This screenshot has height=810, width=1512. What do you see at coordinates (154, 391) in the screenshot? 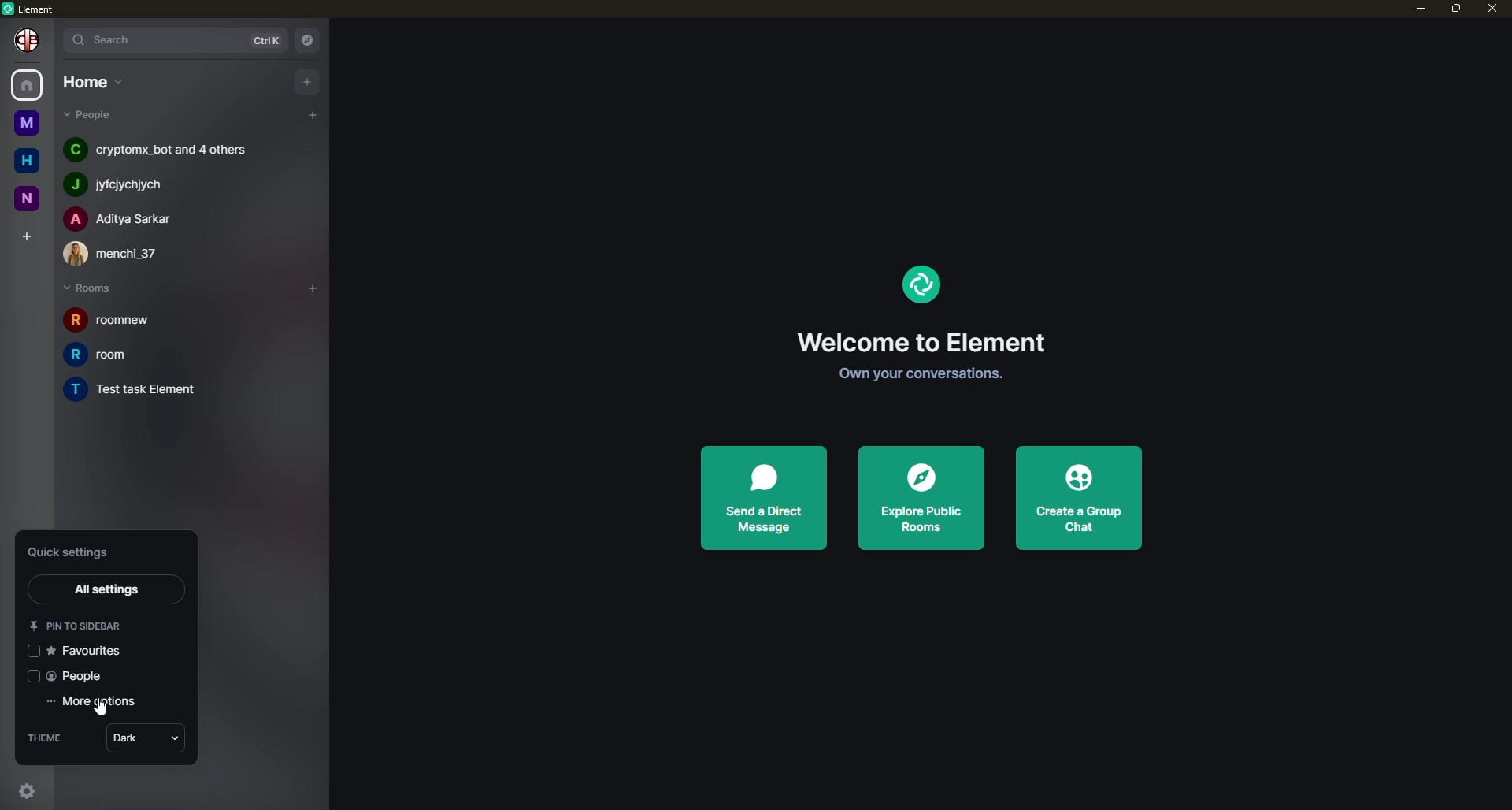
I see `room` at bounding box center [154, 391].